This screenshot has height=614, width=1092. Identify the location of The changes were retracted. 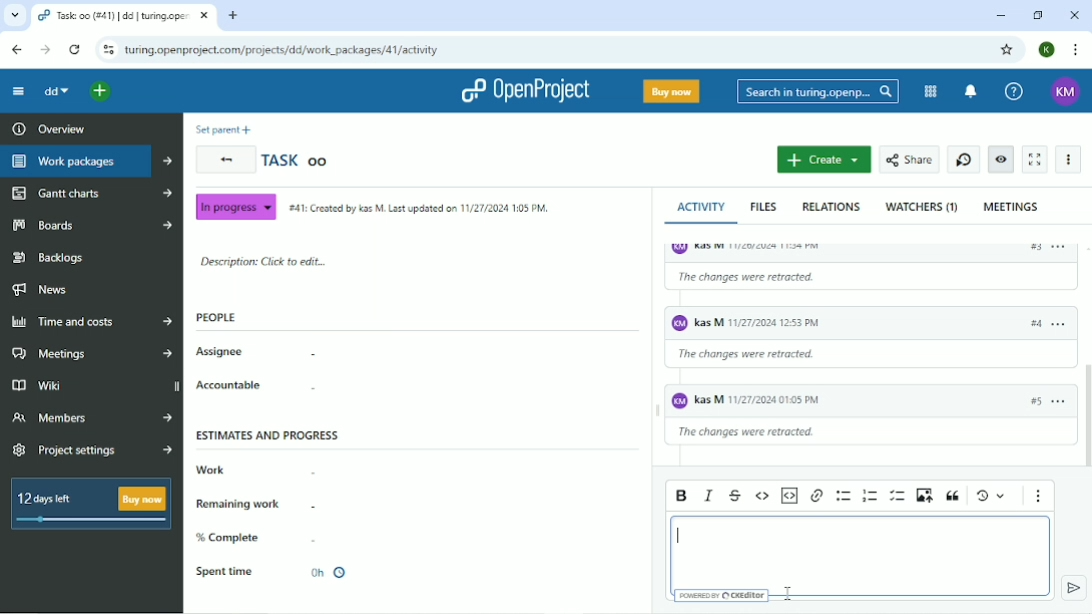
(761, 435).